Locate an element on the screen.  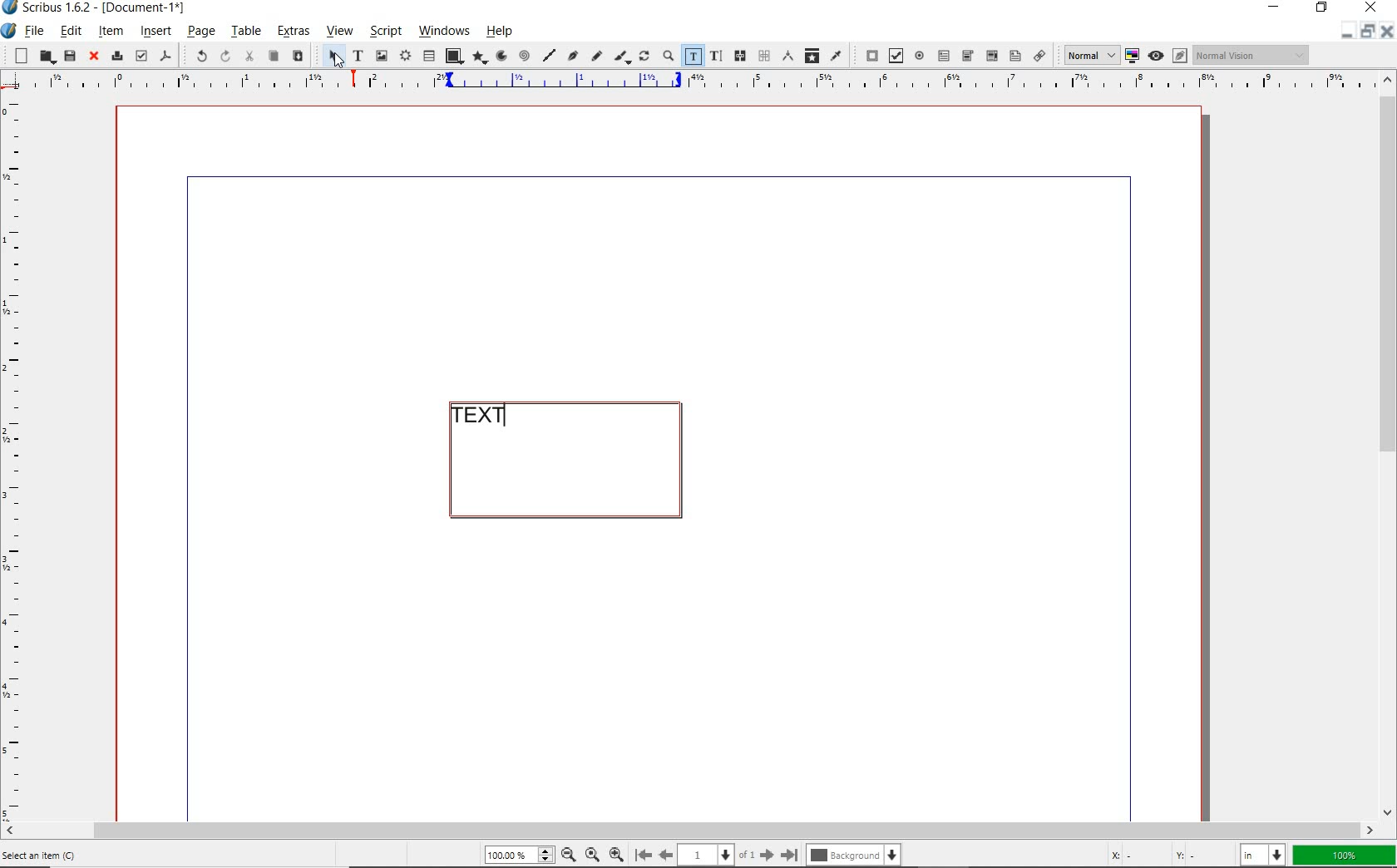
redo is located at coordinates (225, 56).